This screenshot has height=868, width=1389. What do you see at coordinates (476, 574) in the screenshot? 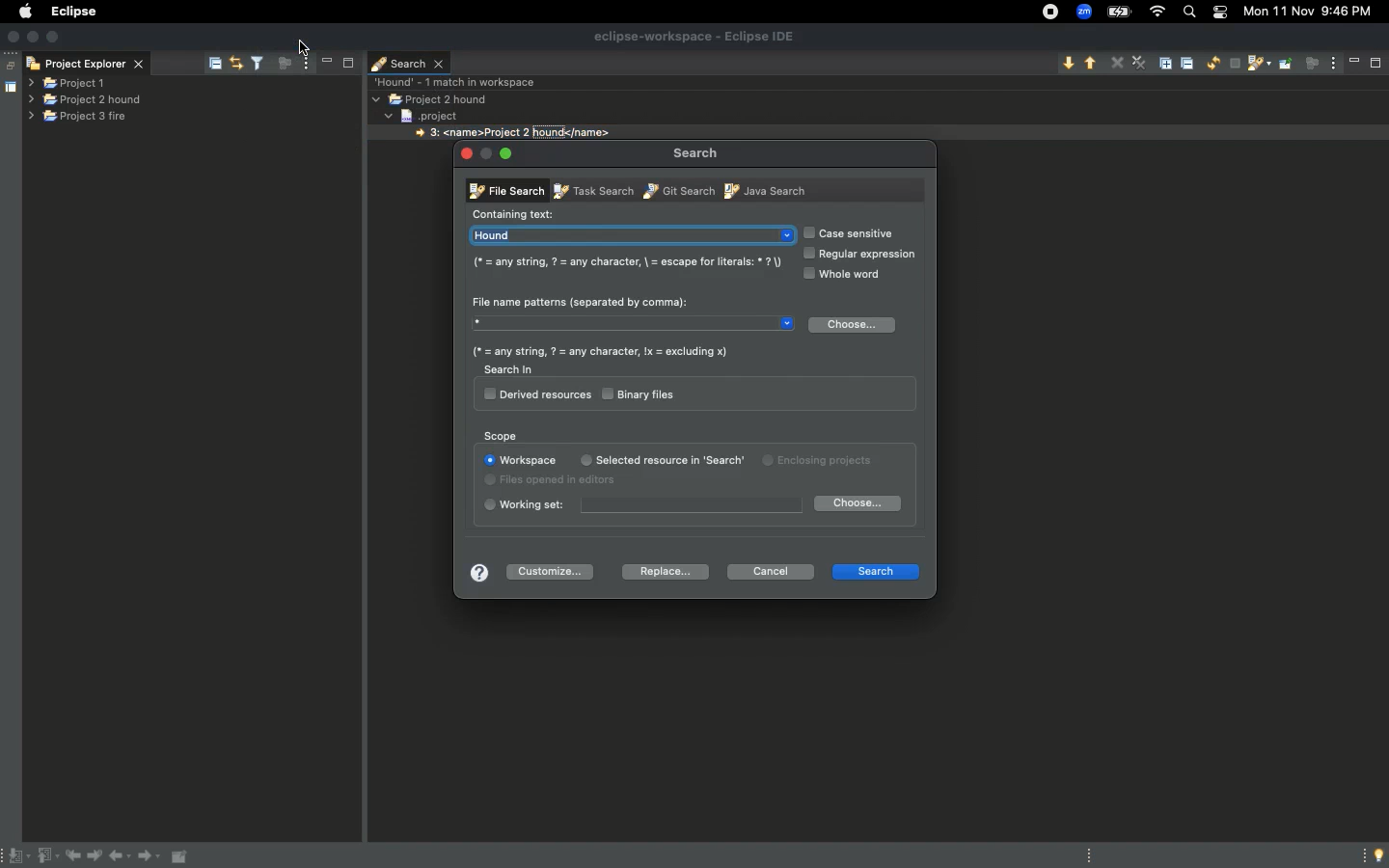
I see `Help` at bounding box center [476, 574].